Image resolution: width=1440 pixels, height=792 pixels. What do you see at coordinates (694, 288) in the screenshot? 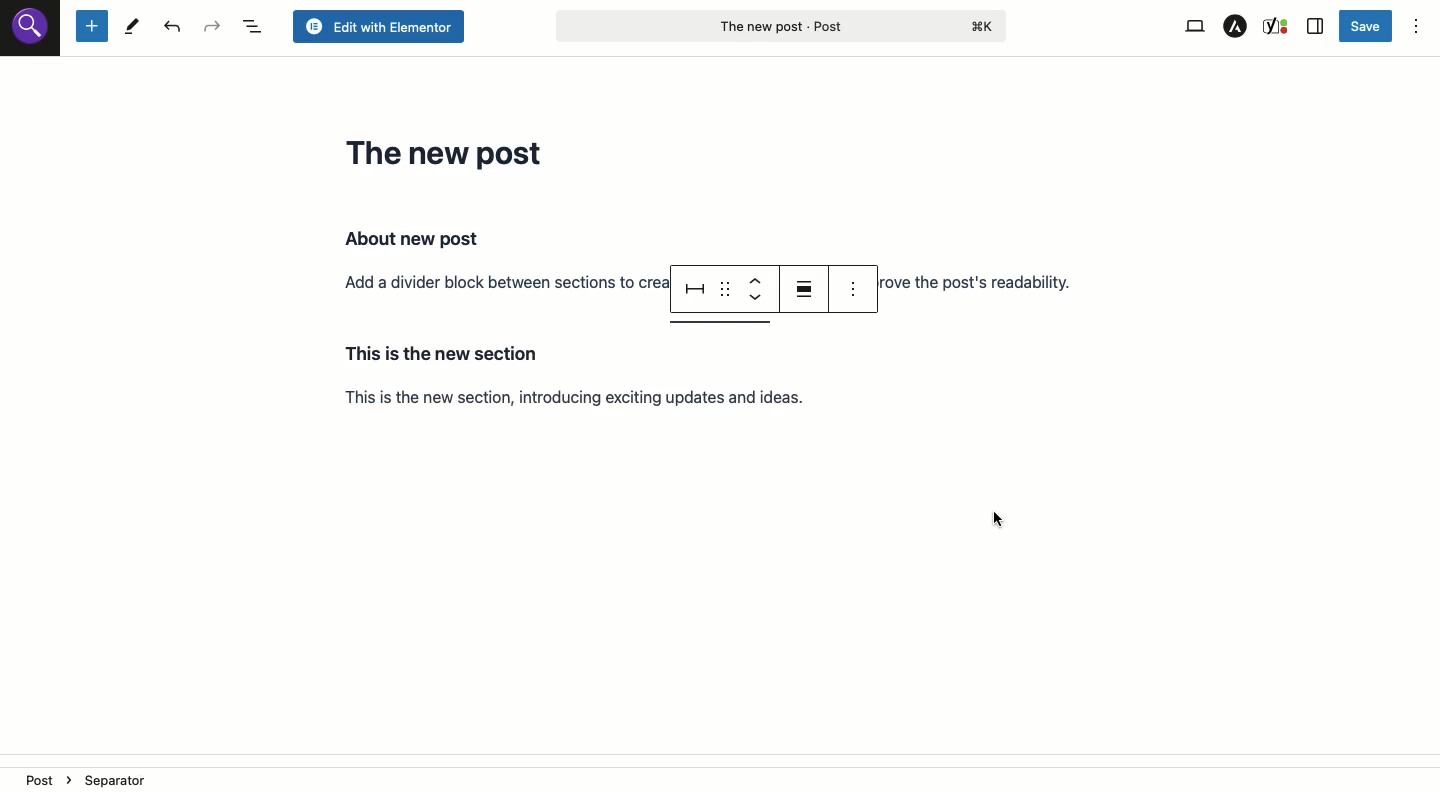
I see `Separator` at bounding box center [694, 288].